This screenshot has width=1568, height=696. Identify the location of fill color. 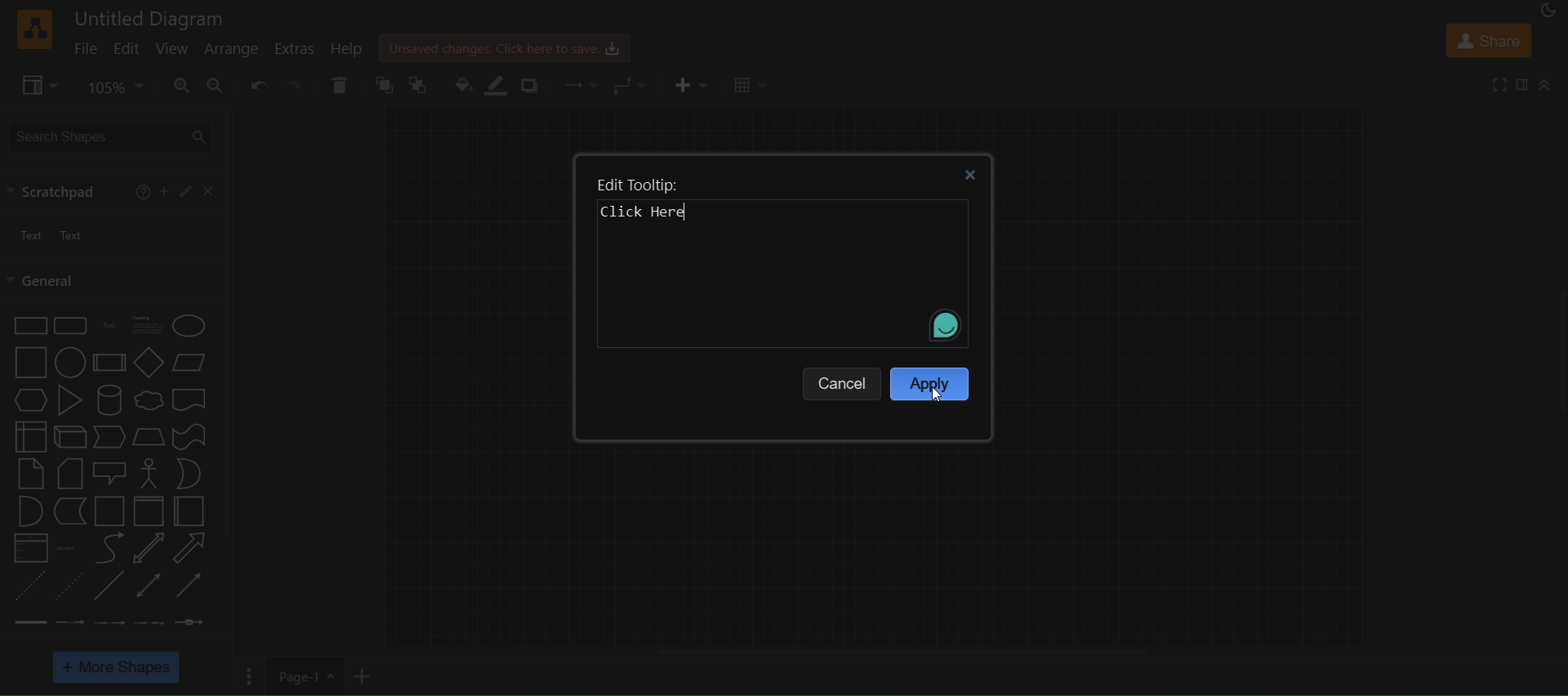
(462, 87).